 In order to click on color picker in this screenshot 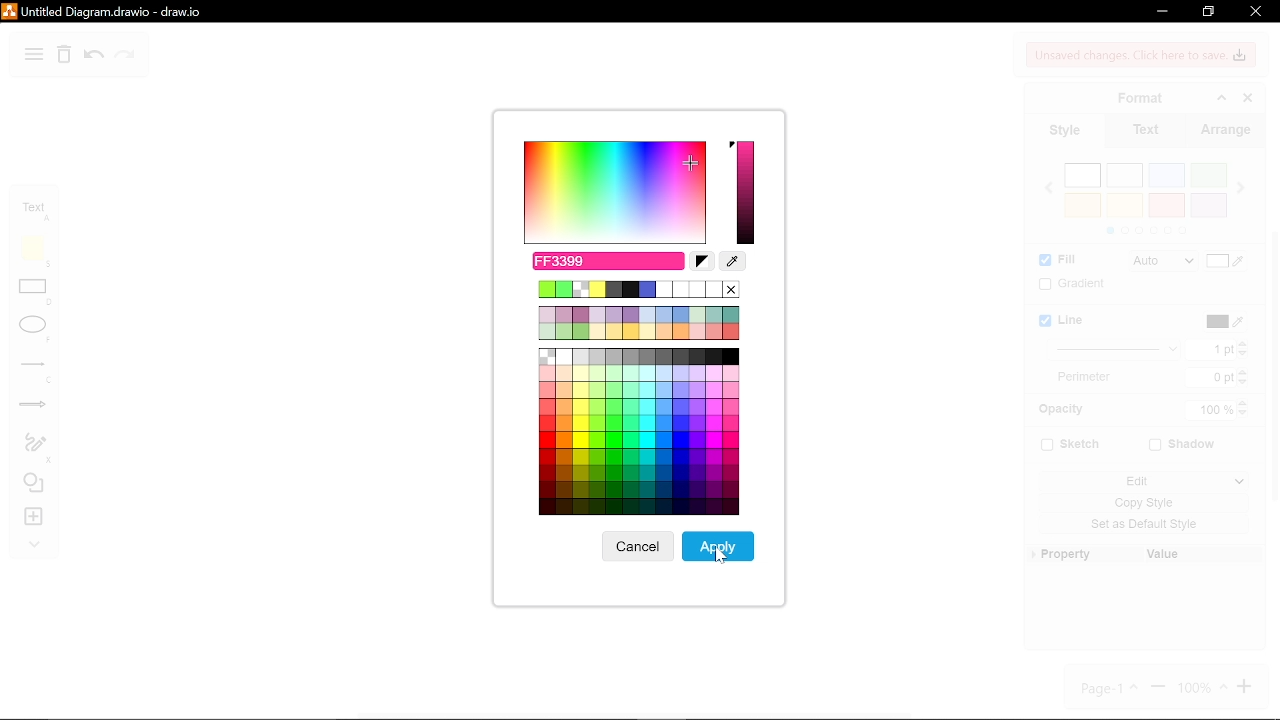, I will do `click(733, 262)`.